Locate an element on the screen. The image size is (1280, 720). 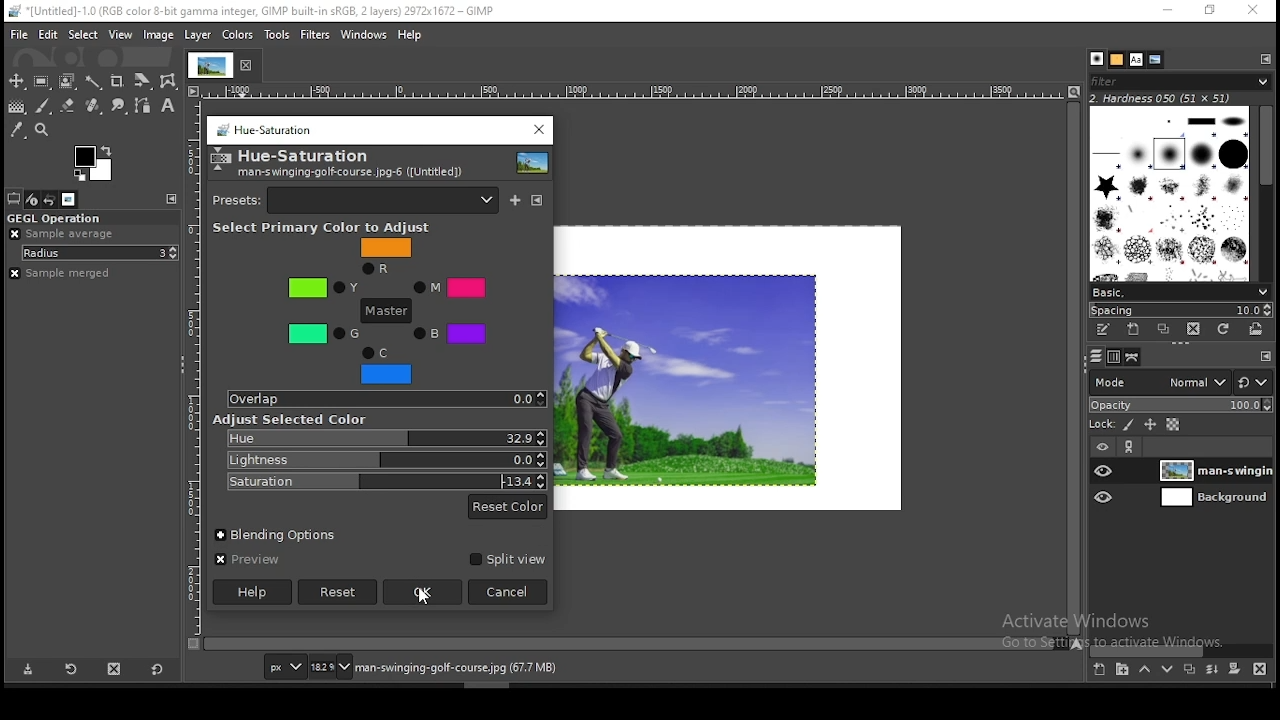
text tool is located at coordinates (167, 108).